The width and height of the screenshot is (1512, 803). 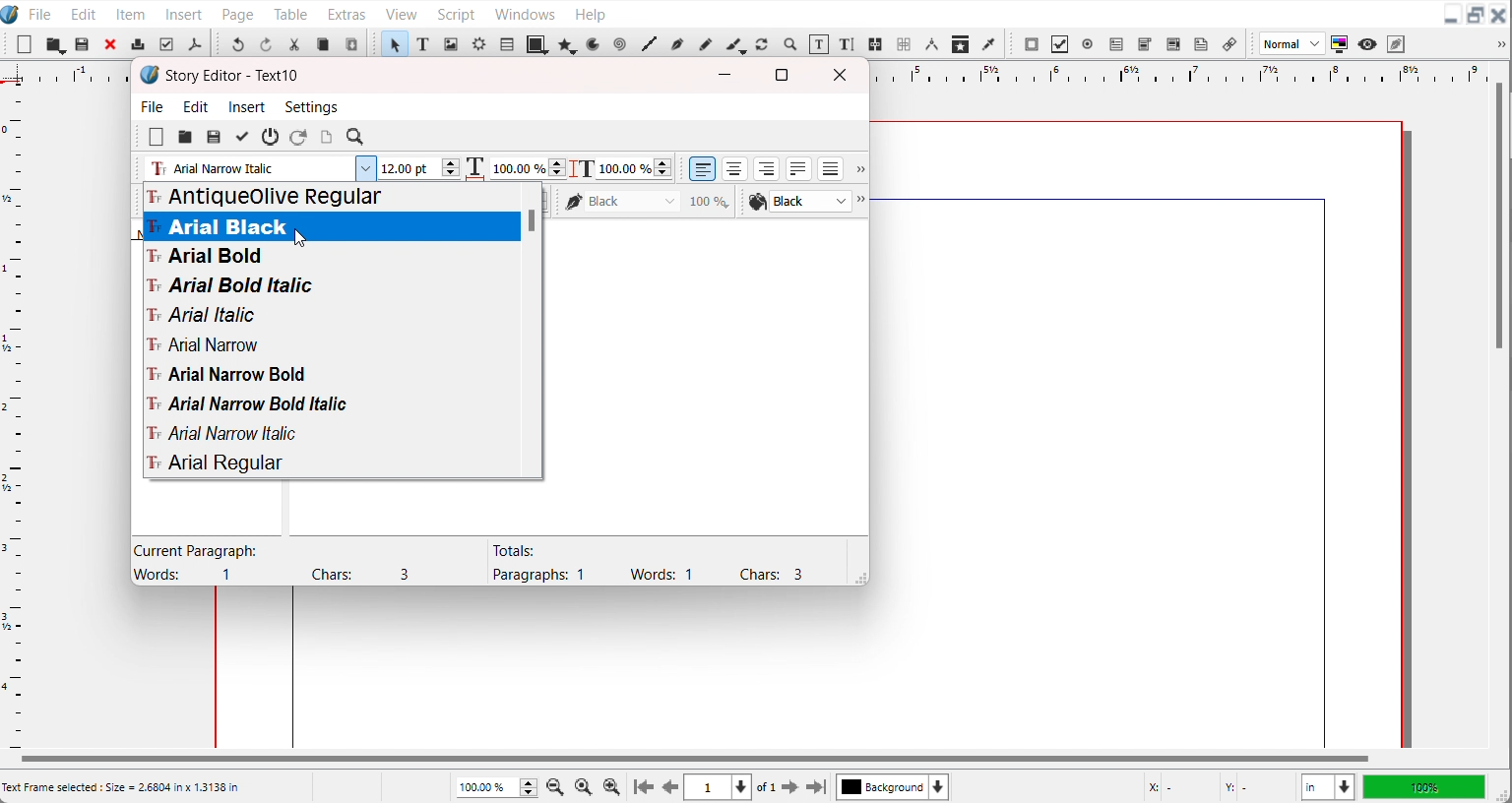 What do you see at coordinates (535, 329) in the screenshot?
I see `Vertical scrollbar` at bounding box center [535, 329].